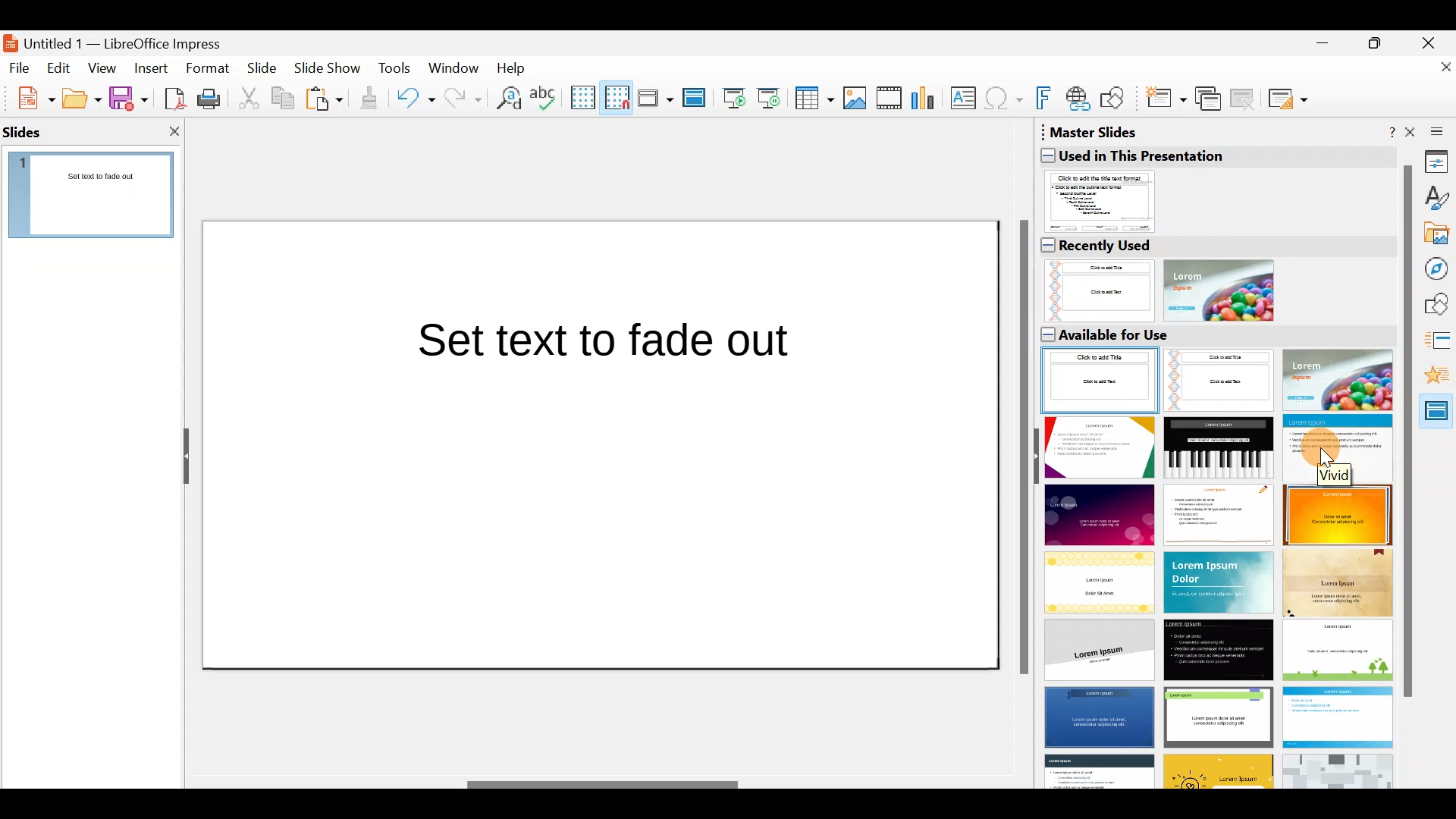 This screenshot has width=1456, height=819. I want to click on Open, so click(82, 99).